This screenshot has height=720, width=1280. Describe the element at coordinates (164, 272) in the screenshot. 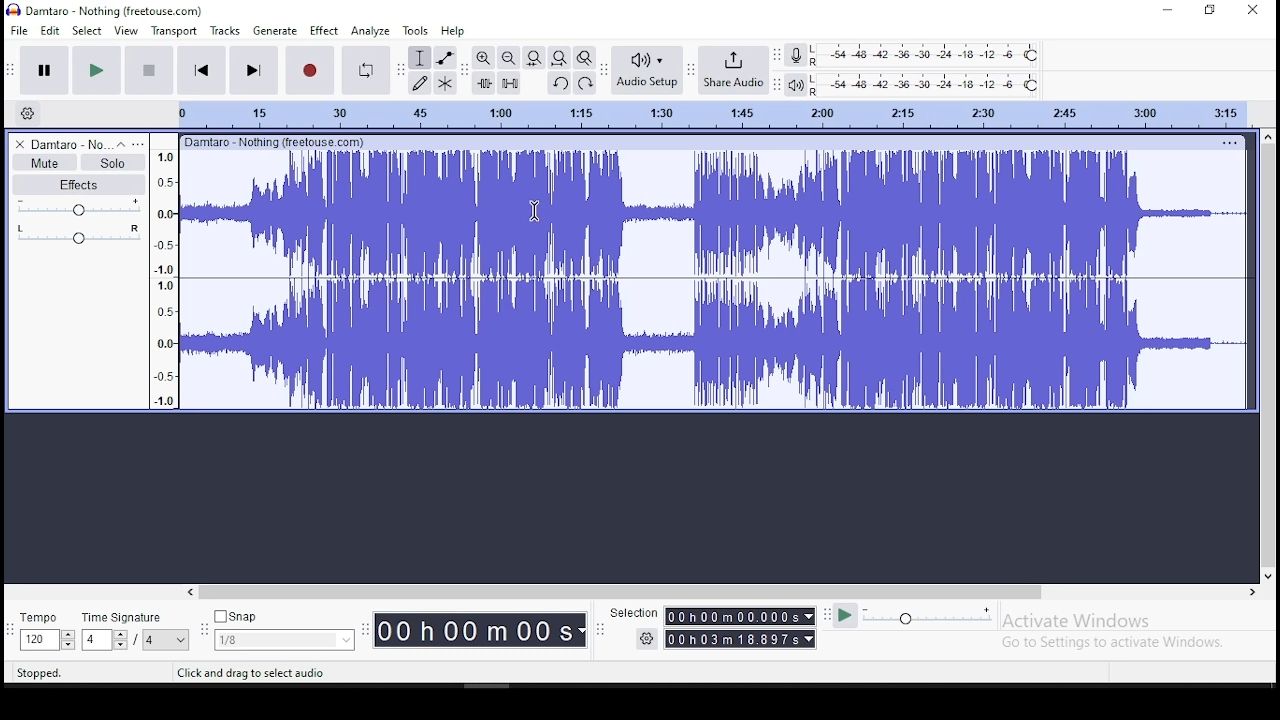

I see `amplitude` at that location.